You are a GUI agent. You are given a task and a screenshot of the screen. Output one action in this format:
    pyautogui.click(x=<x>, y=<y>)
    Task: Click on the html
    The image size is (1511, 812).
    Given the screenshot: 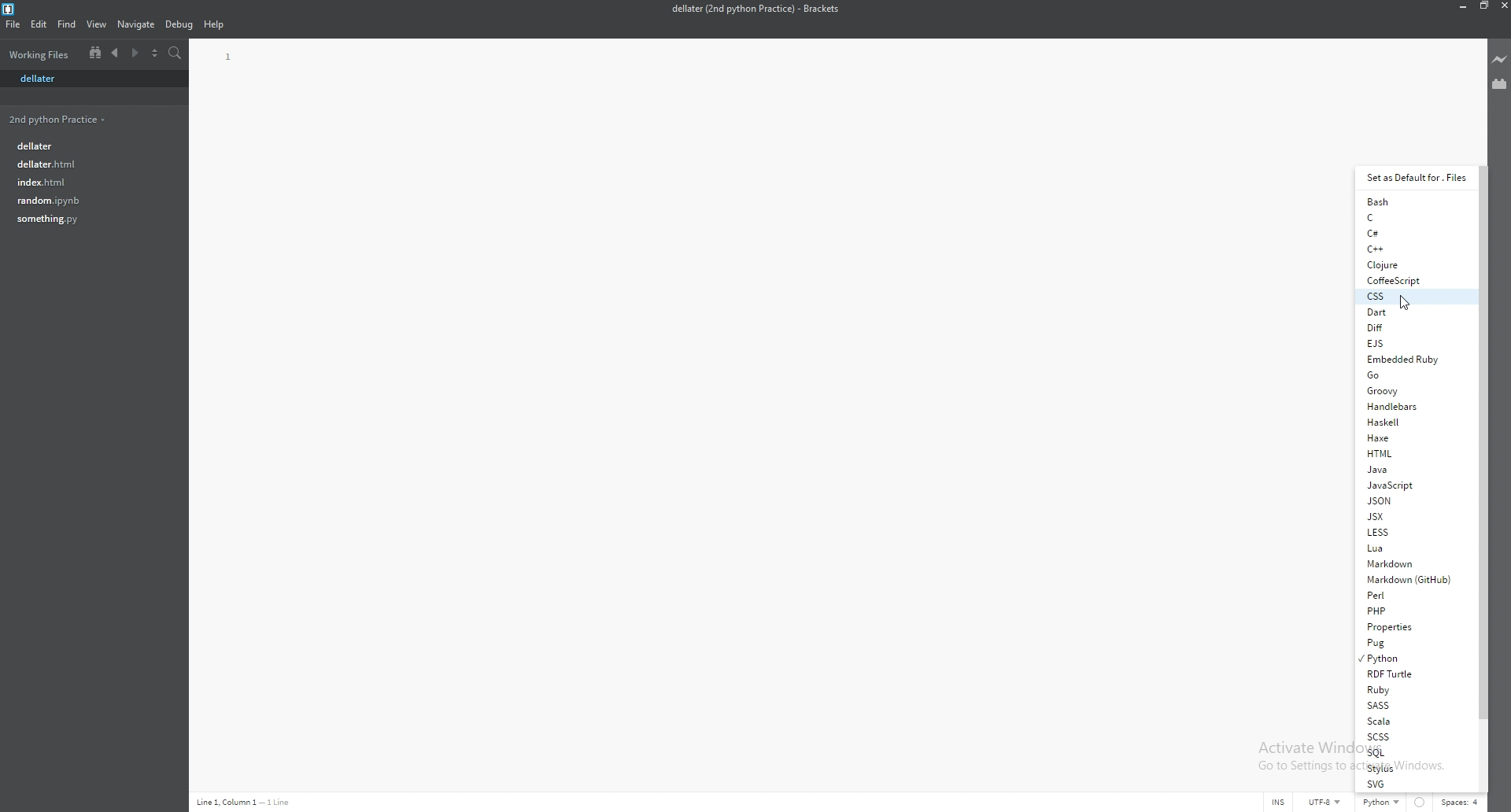 What is the action you would take?
    pyautogui.click(x=1413, y=453)
    